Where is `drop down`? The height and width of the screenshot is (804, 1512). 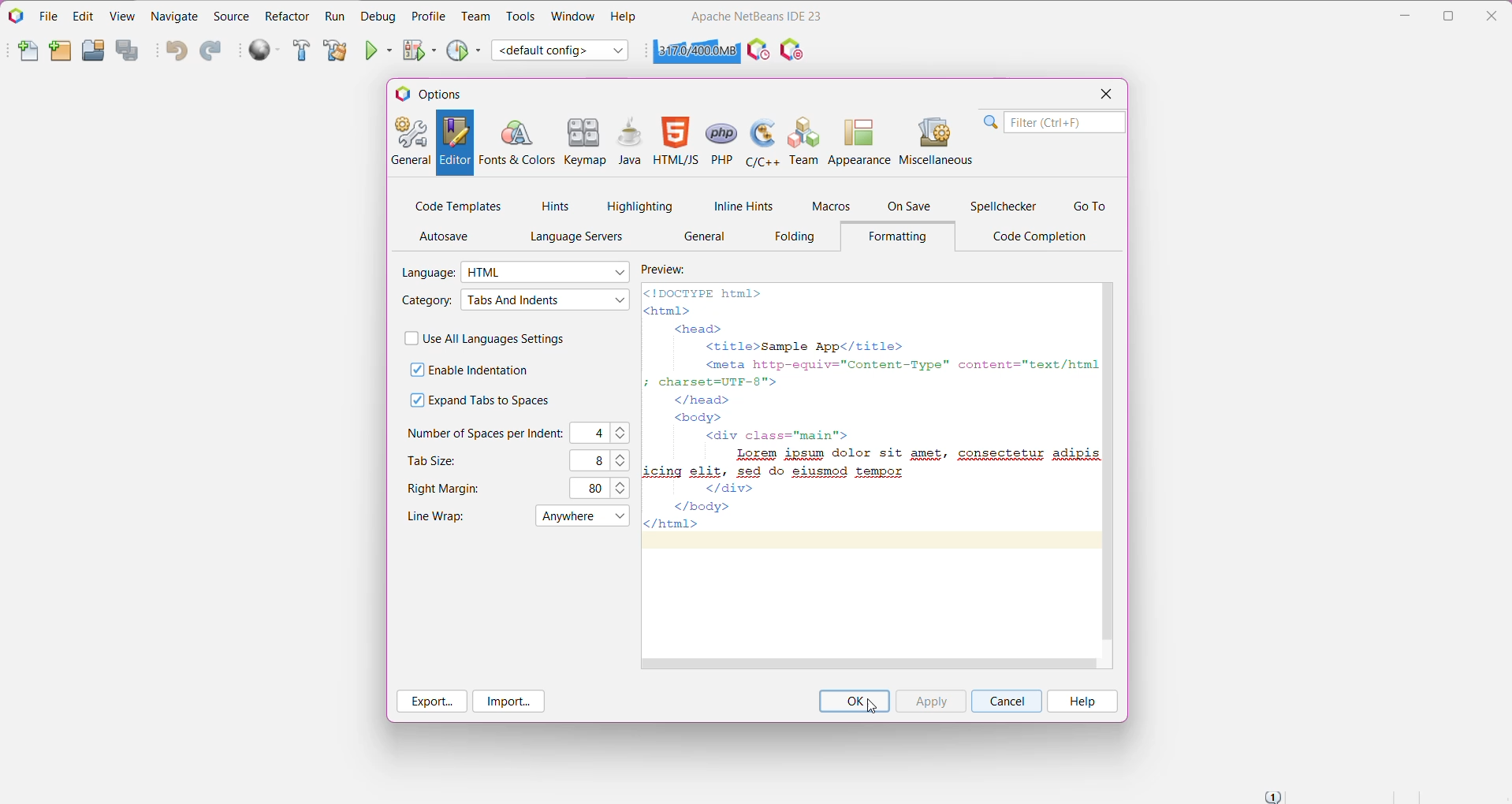
drop down is located at coordinates (620, 519).